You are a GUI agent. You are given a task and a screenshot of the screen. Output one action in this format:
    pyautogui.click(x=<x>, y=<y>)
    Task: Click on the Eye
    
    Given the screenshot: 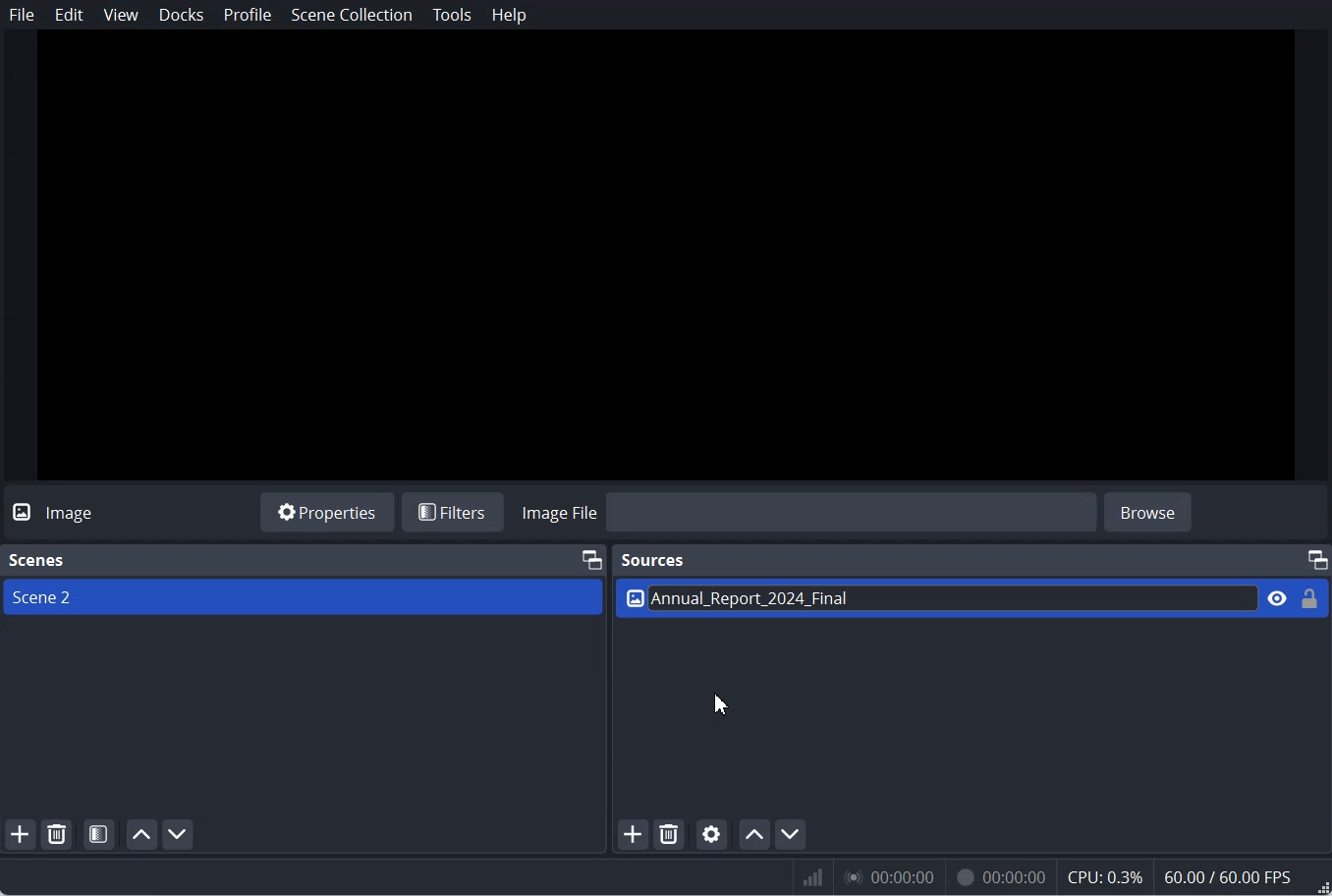 What is the action you would take?
    pyautogui.click(x=1277, y=597)
    